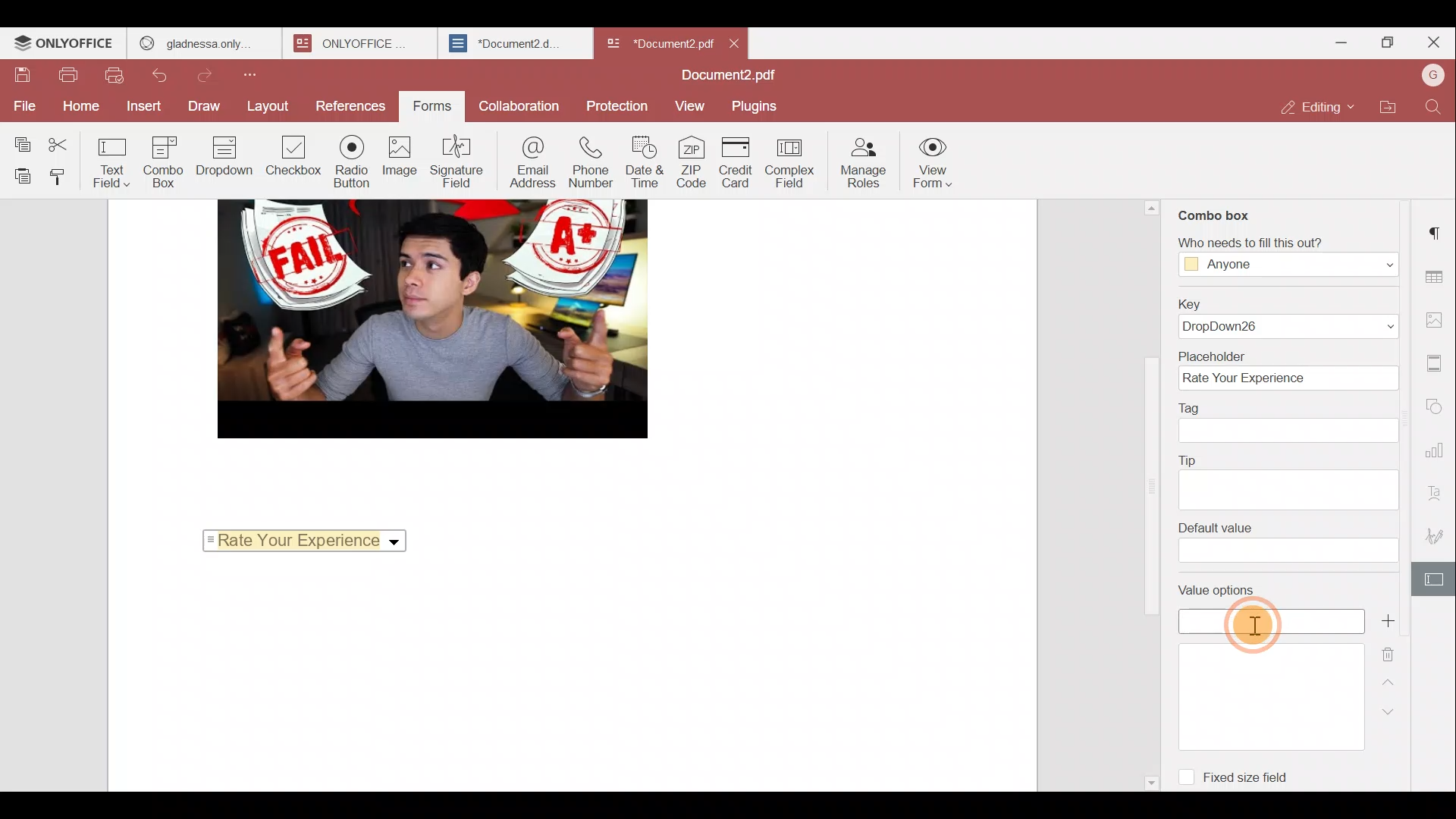  I want to click on Collaboration, so click(518, 105).